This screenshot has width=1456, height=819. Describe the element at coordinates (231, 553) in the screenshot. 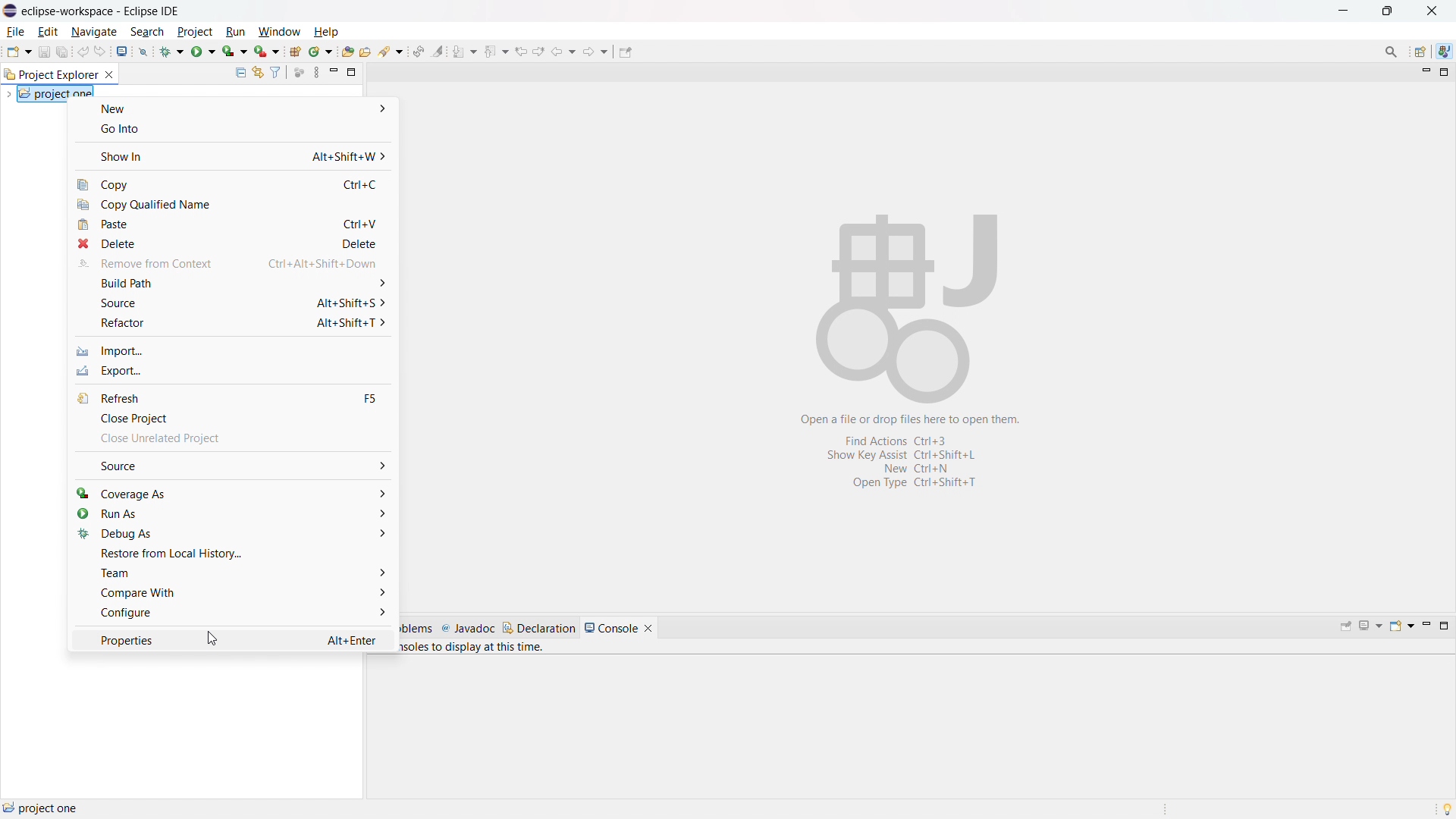

I see `restore from local history` at that location.